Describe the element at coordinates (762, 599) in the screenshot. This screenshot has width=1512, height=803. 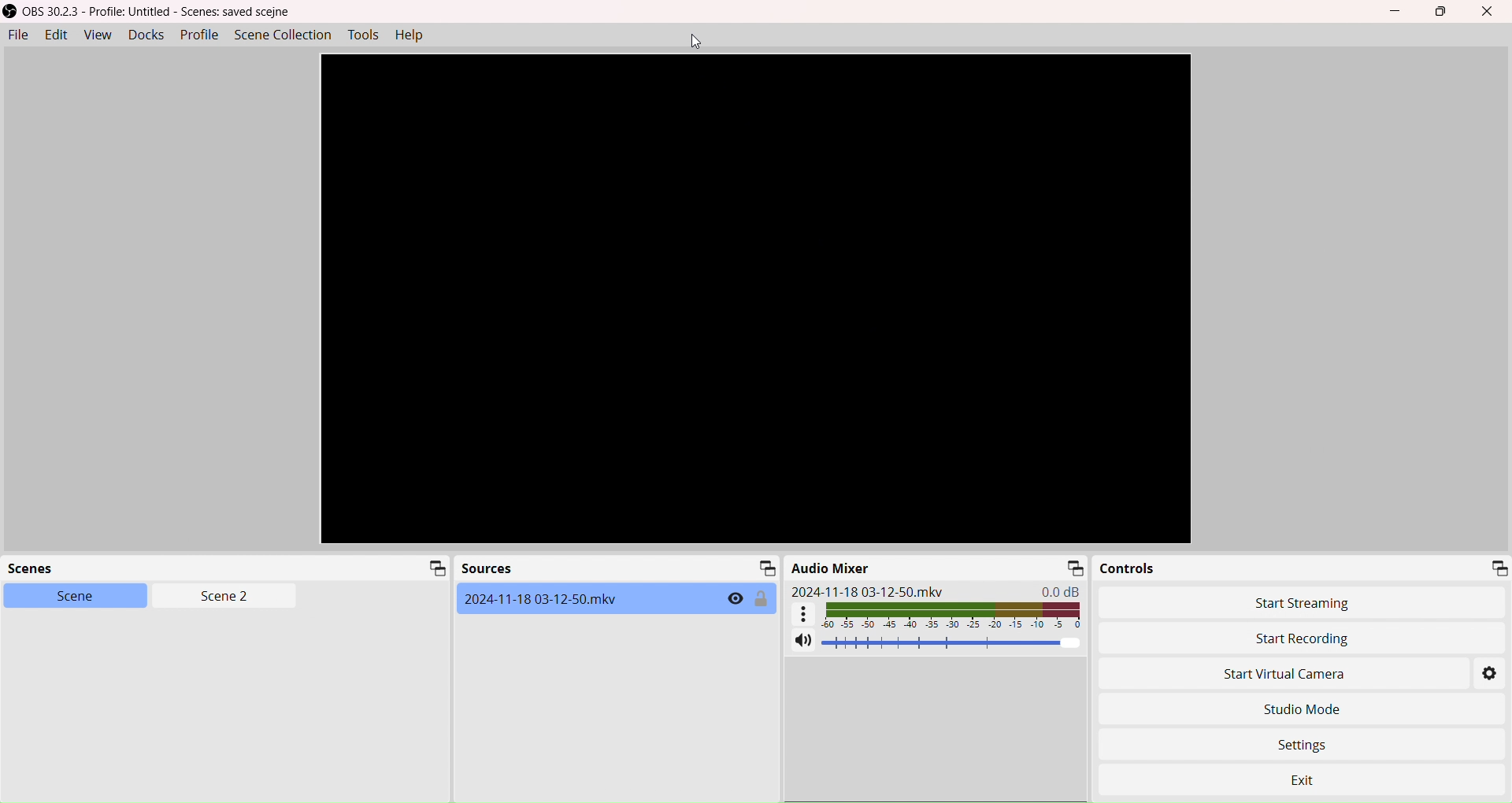
I see `Toggle Lock` at that location.